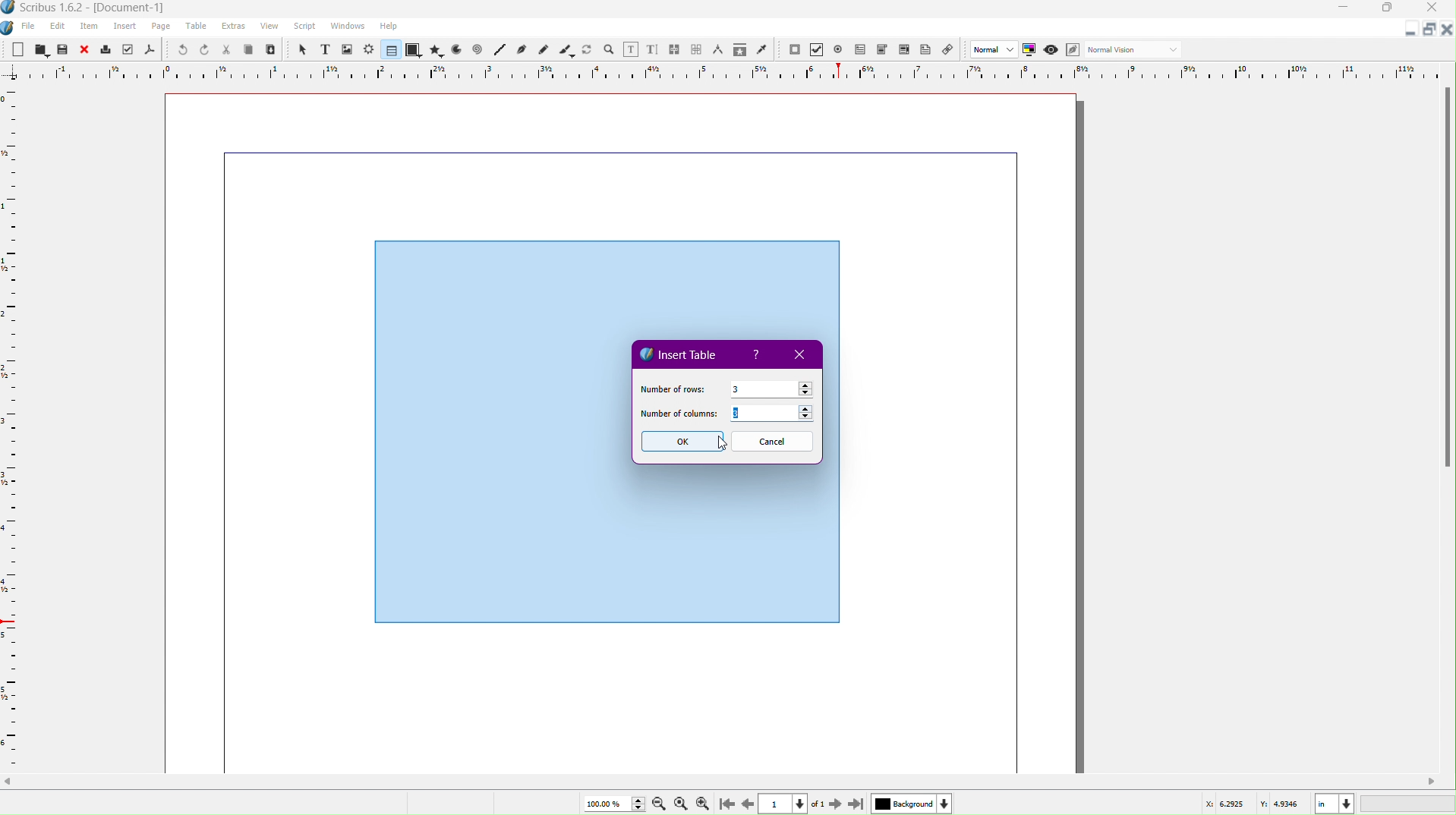 The width and height of the screenshot is (1456, 815). Describe the element at coordinates (720, 49) in the screenshot. I see `Measurements` at that location.